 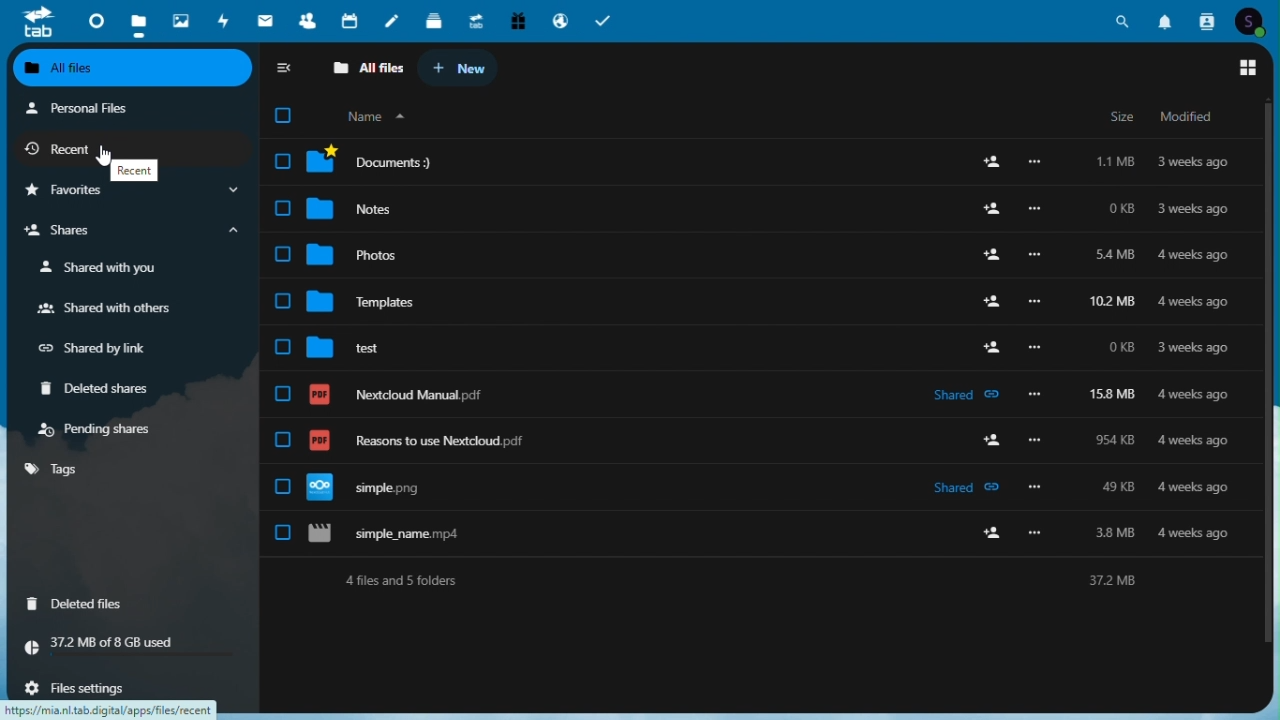 I want to click on Text, so click(x=135, y=170).